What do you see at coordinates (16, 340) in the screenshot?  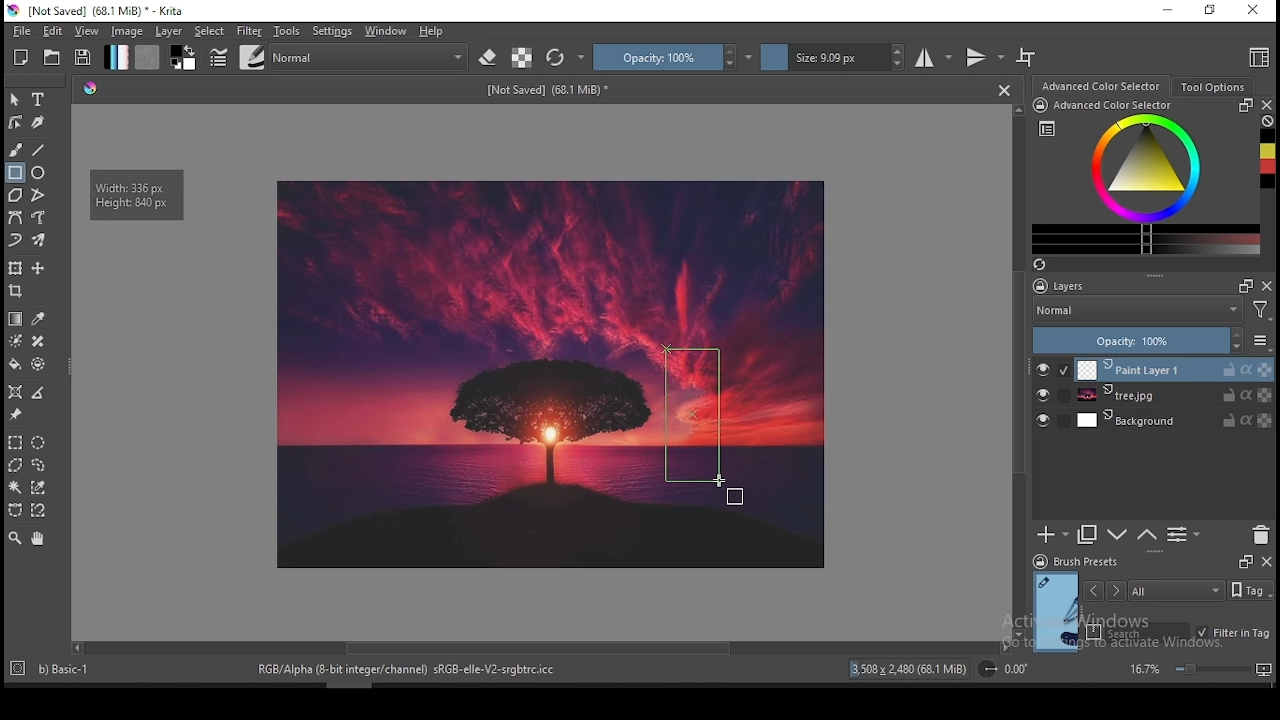 I see `colorize mask tool` at bounding box center [16, 340].